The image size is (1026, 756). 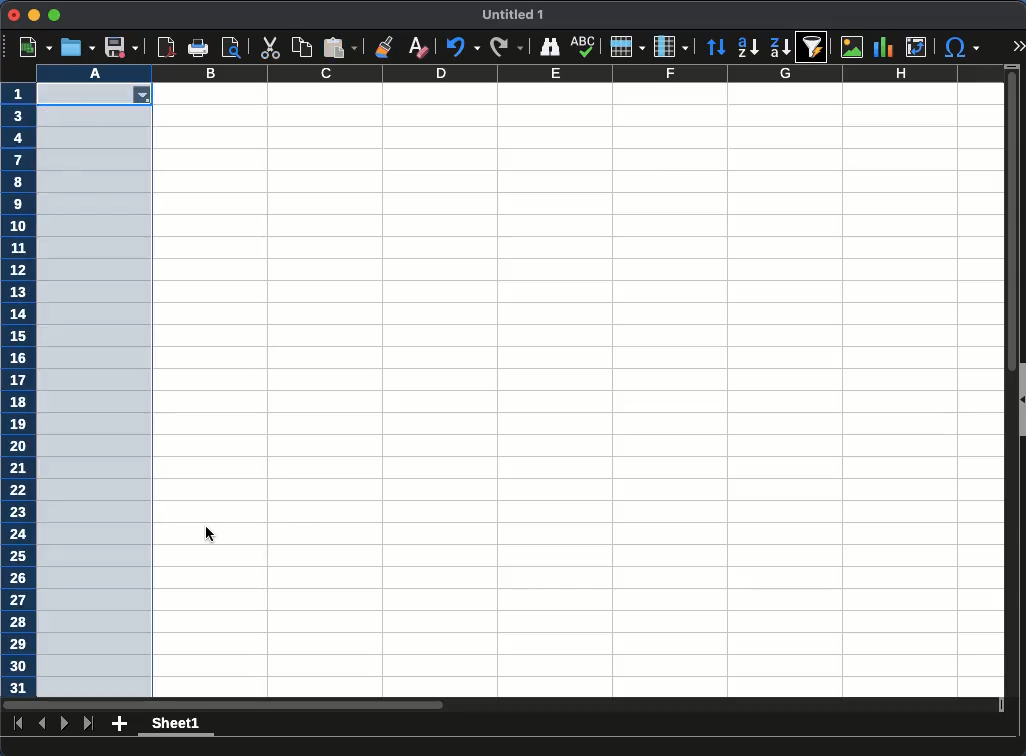 What do you see at coordinates (33, 15) in the screenshot?
I see `minimize` at bounding box center [33, 15].